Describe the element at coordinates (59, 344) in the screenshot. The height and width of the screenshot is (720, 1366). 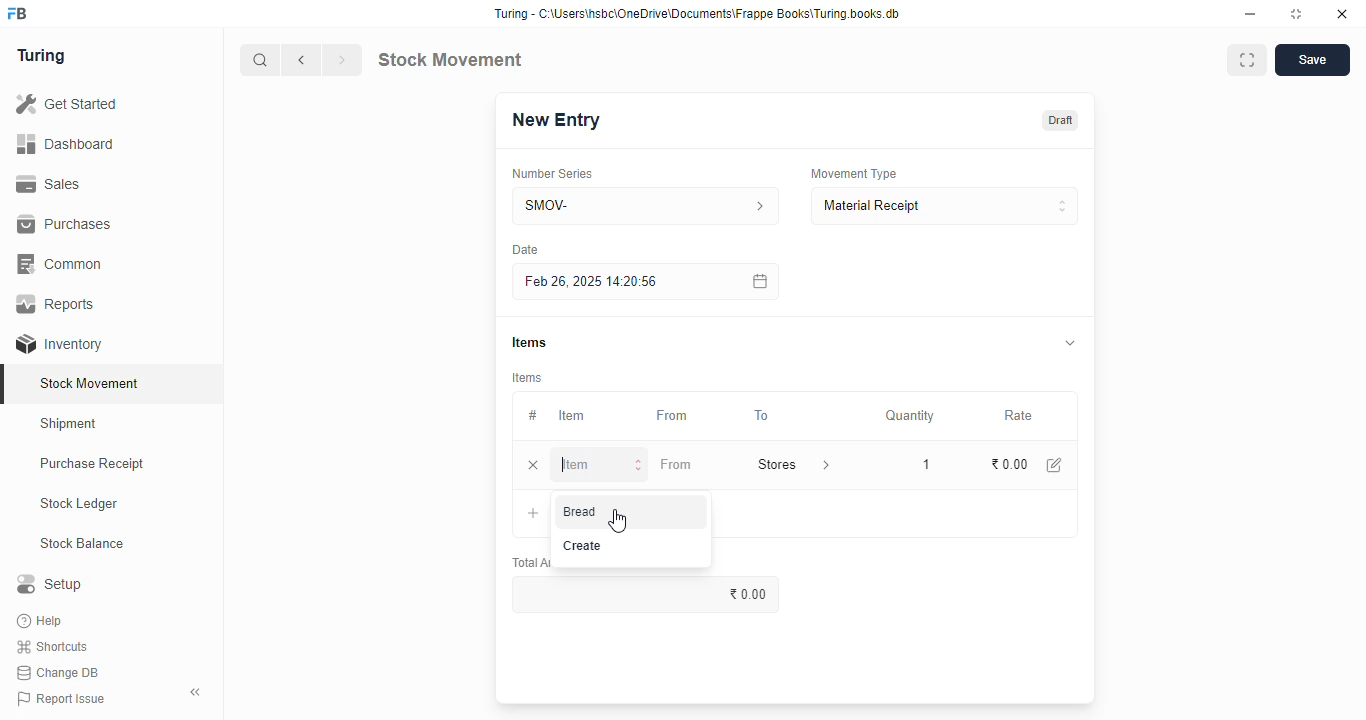
I see `inventory` at that location.